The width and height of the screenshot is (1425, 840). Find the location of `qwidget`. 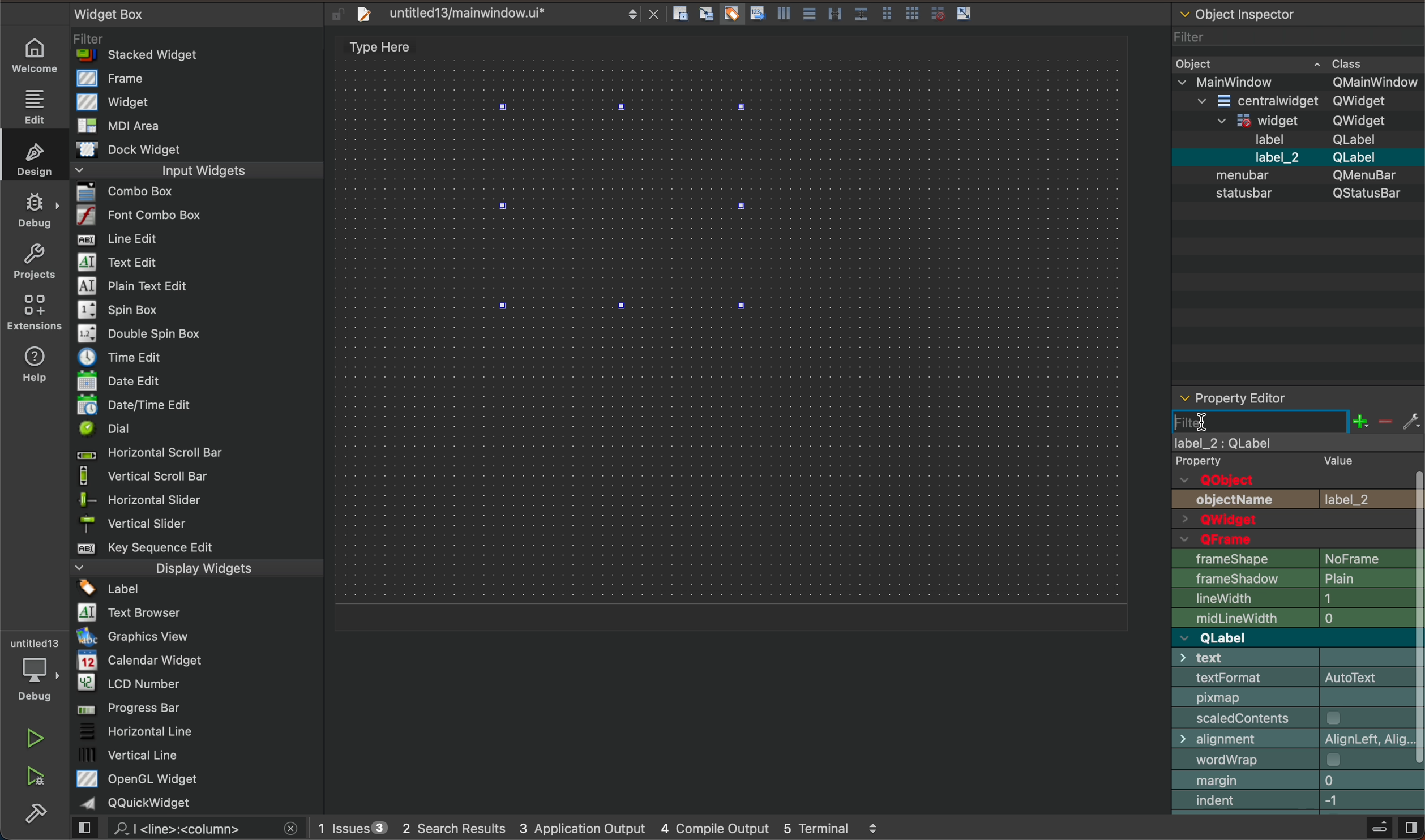

qwidget is located at coordinates (1301, 520).